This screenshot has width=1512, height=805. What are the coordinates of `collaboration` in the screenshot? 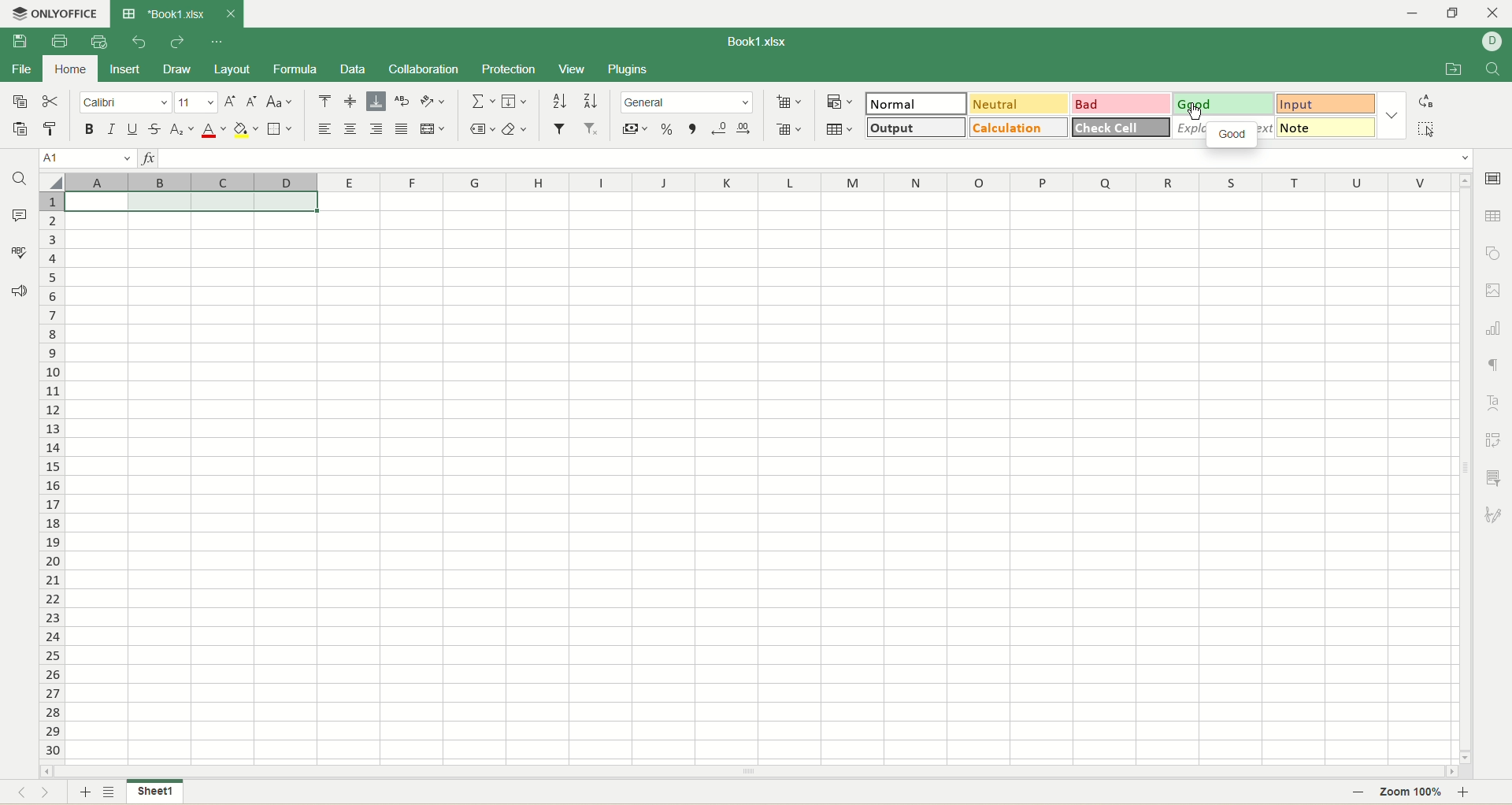 It's located at (426, 70).